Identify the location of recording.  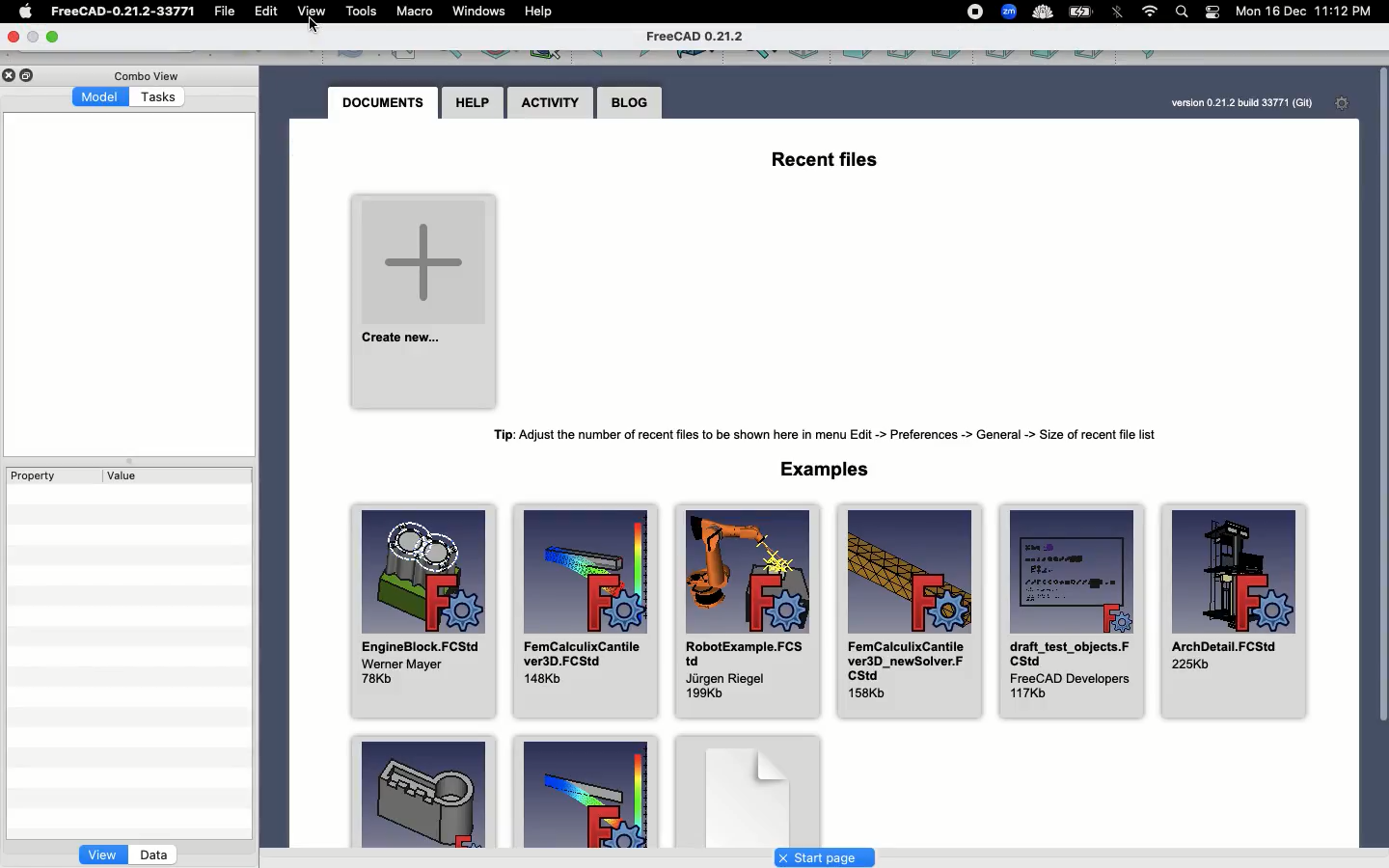
(974, 12).